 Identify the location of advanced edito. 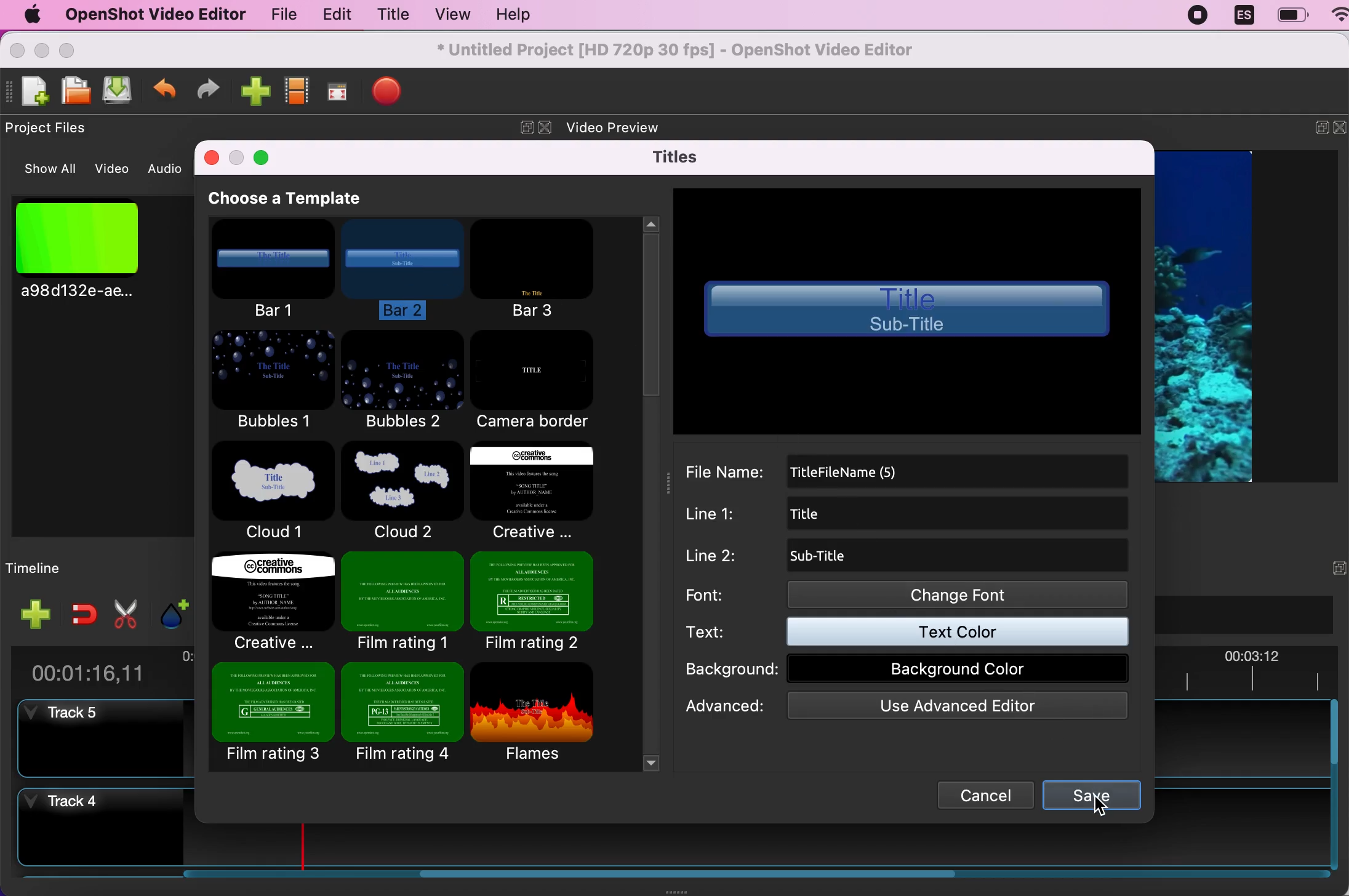
(908, 706).